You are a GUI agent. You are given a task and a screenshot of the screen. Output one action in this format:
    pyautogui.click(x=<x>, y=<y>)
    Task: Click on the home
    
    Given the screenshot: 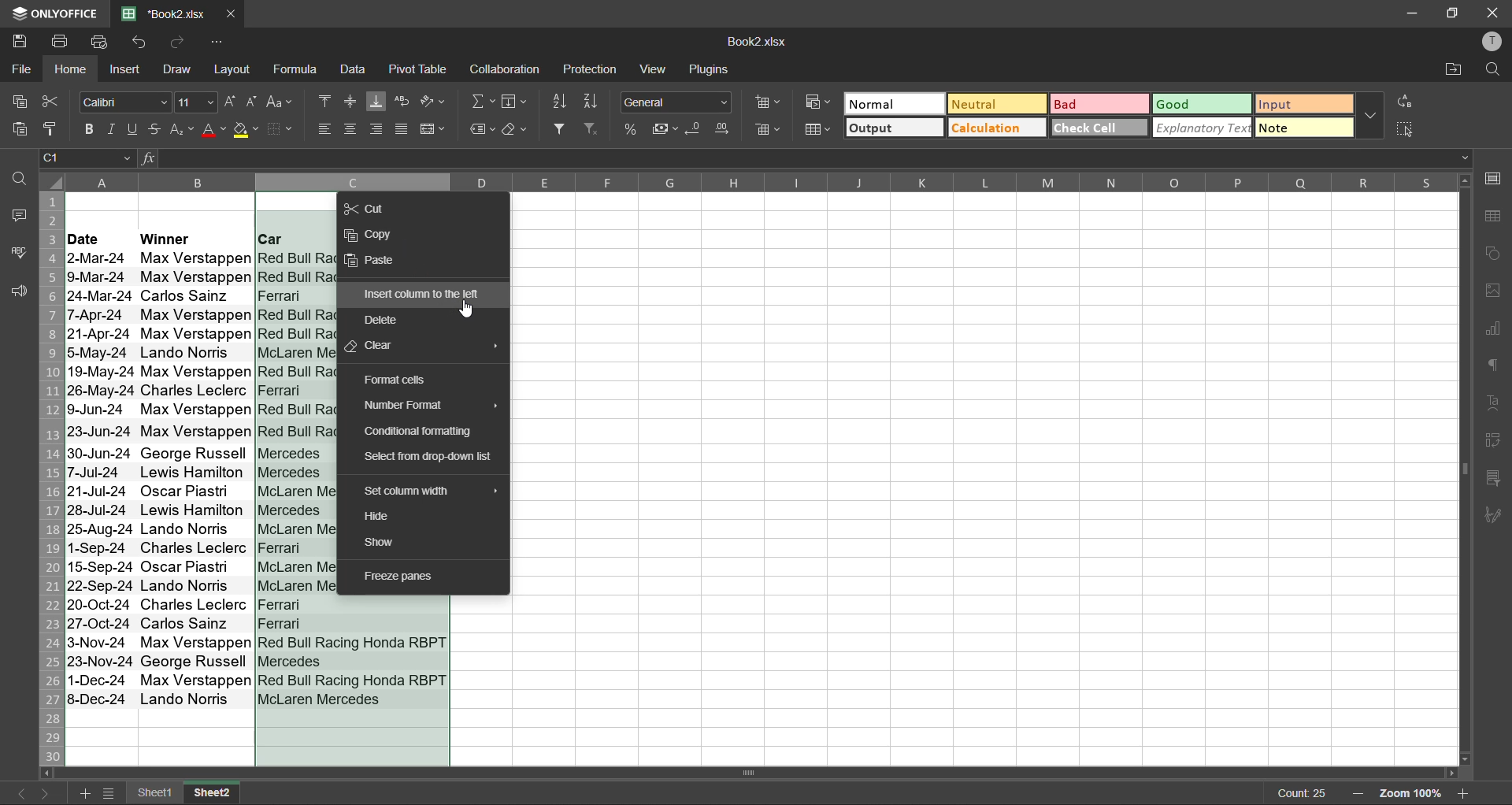 What is the action you would take?
    pyautogui.click(x=72, y=70)
    